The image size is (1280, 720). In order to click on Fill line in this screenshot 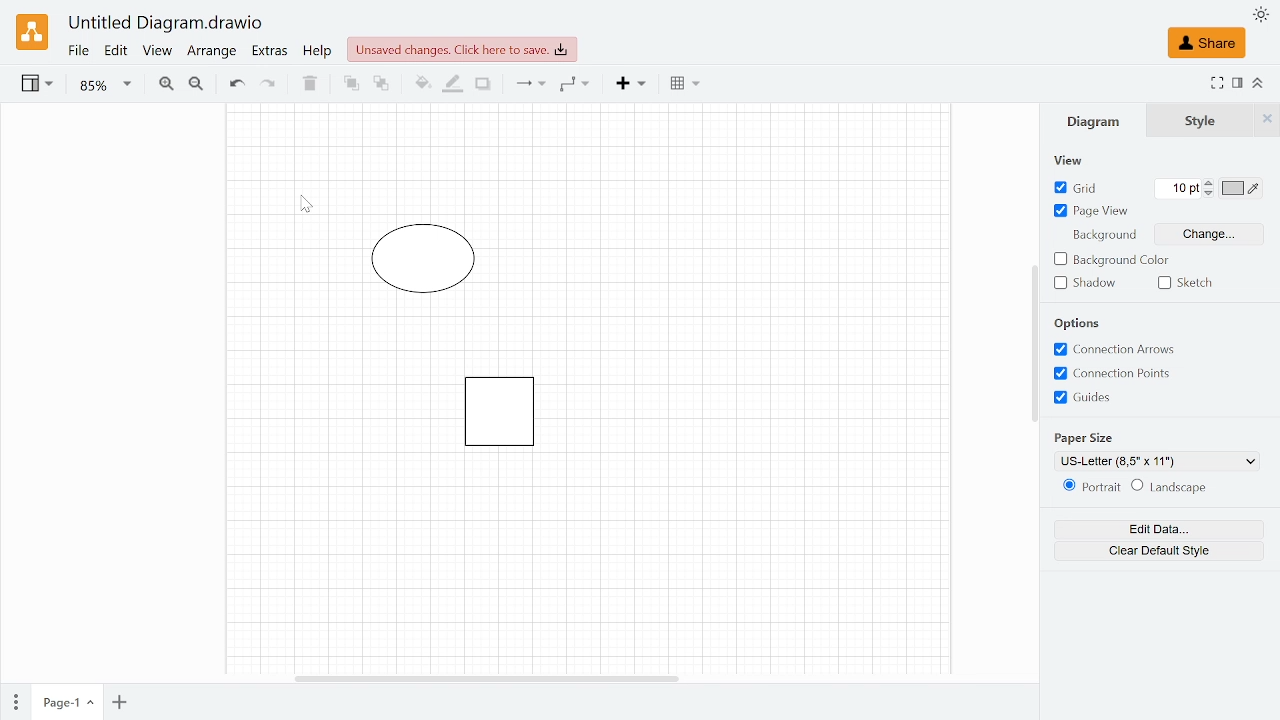, I will do `click(450, 85)`.